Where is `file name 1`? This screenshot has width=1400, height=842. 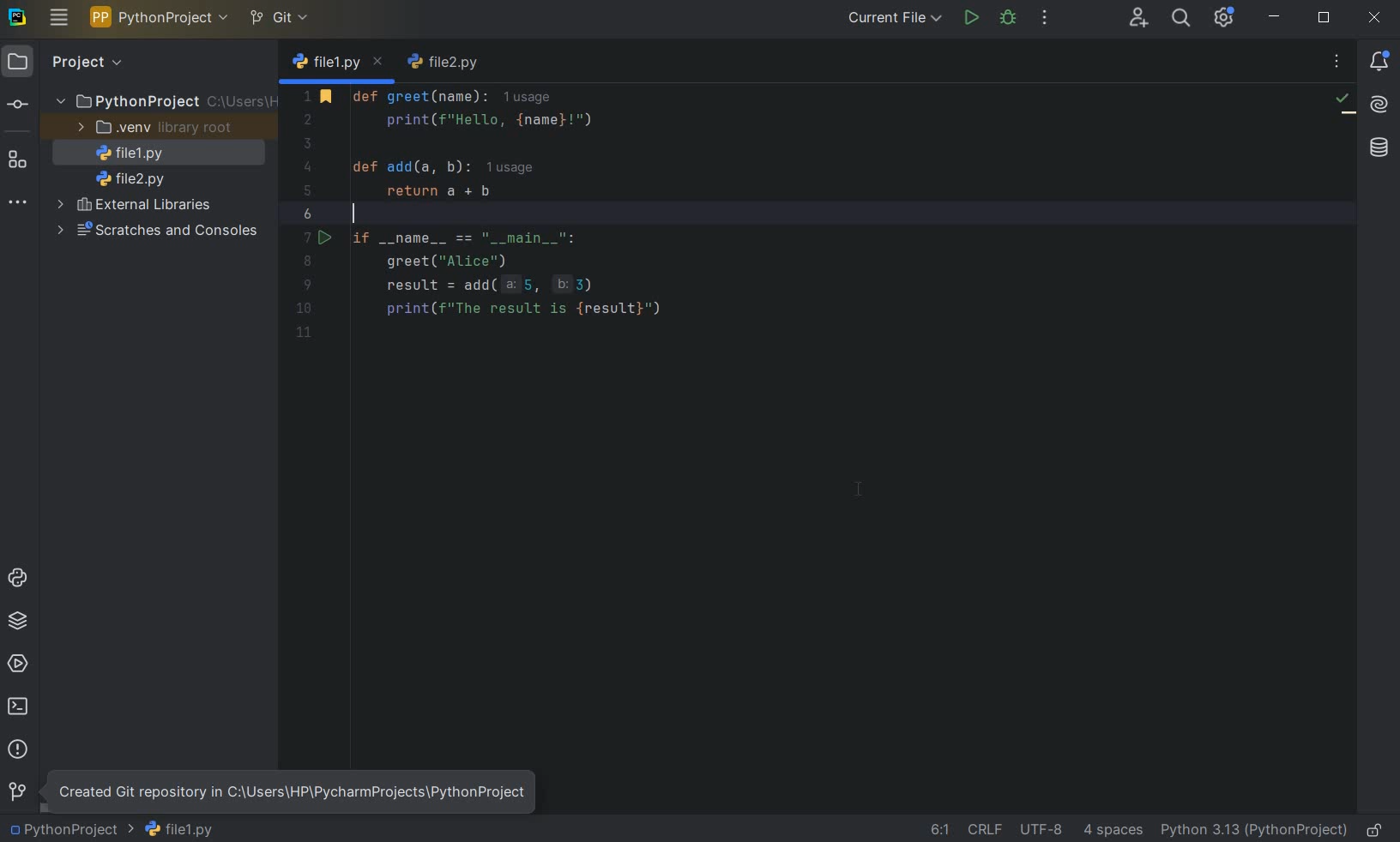 file name 1 is located at coordinates (179, 828).